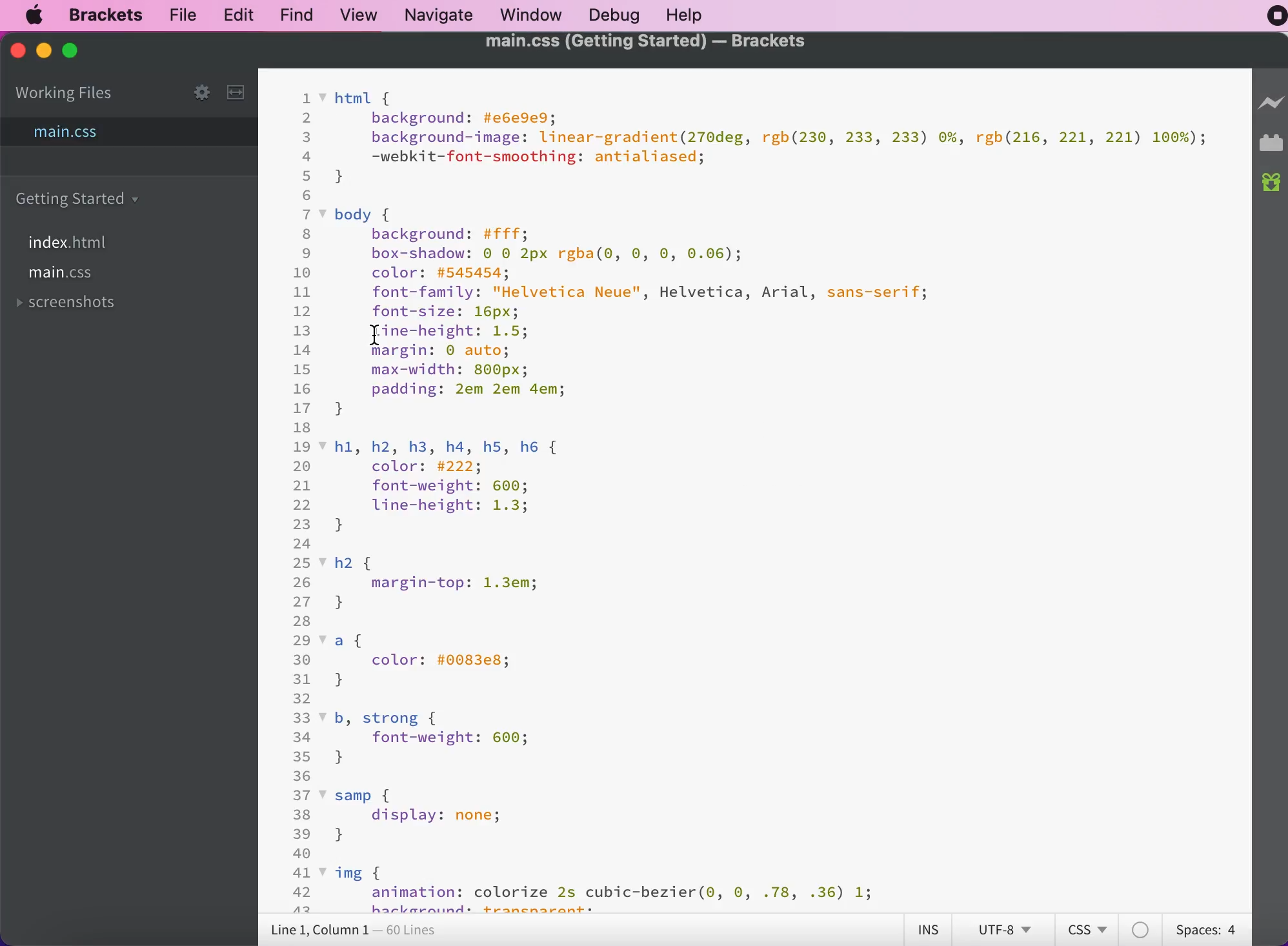 This screenshot has height=946, width=1288. I want to click on 38, so click(302, 815).